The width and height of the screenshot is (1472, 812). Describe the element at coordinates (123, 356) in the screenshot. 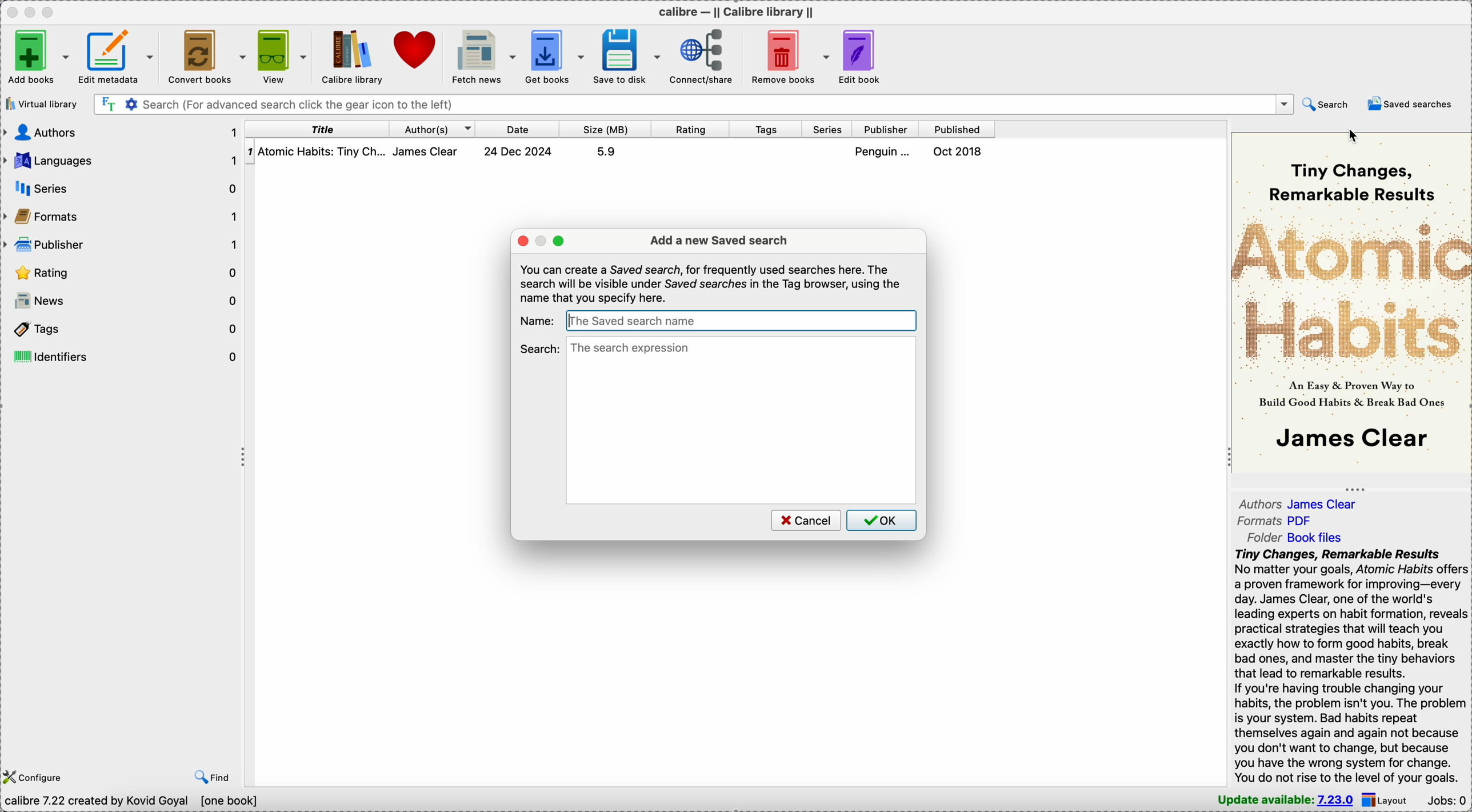

I see `identifiers` at that location.